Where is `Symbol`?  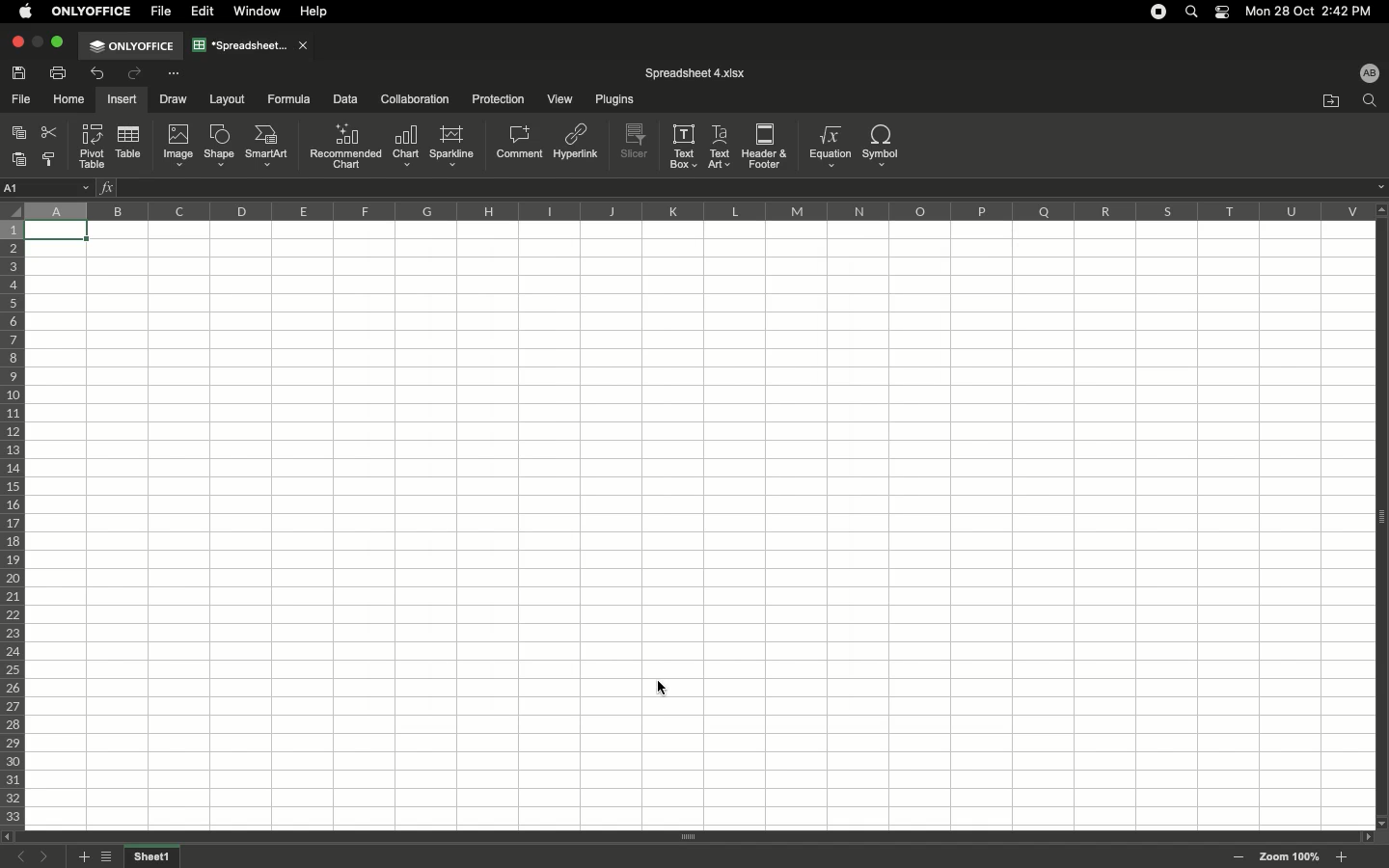 Symbol is located at coordinates (883, 146).